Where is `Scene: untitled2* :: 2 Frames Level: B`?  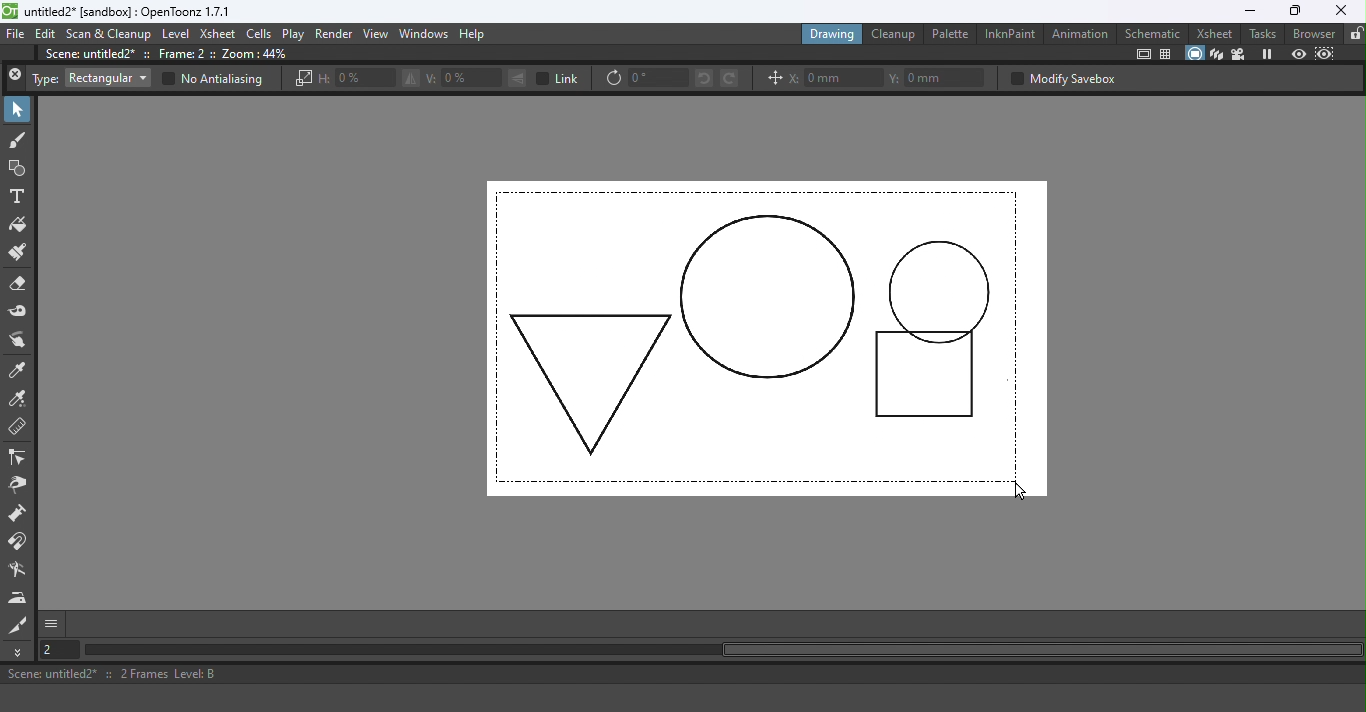 Scene: untitled2* :: 2 Frames Level: B is located at coordinates (681, 675).